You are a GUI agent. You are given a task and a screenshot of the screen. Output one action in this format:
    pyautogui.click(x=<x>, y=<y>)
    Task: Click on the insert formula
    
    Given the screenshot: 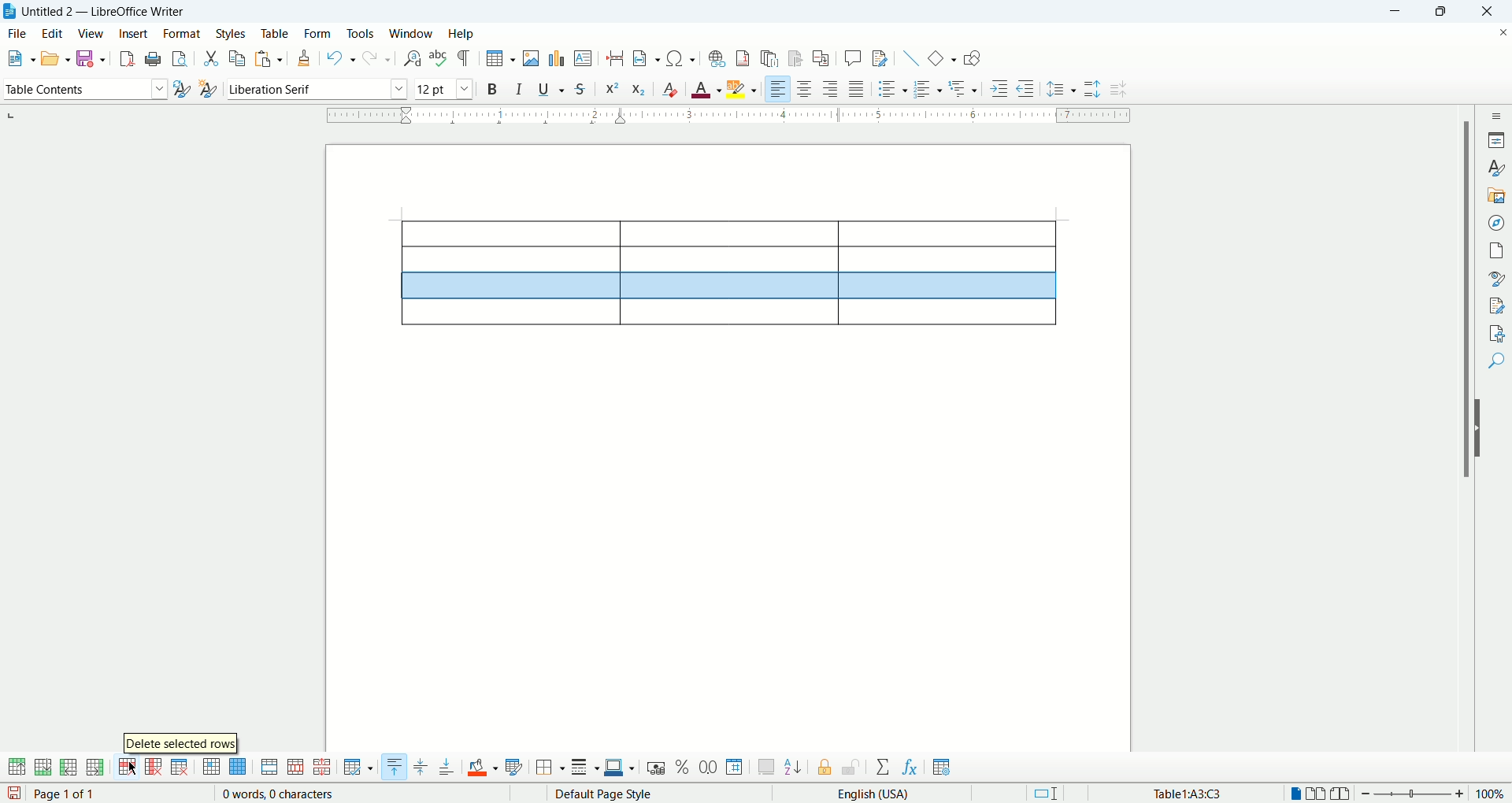 What is the action you would take?
    pyautogui.click(x=911, y=768)
    